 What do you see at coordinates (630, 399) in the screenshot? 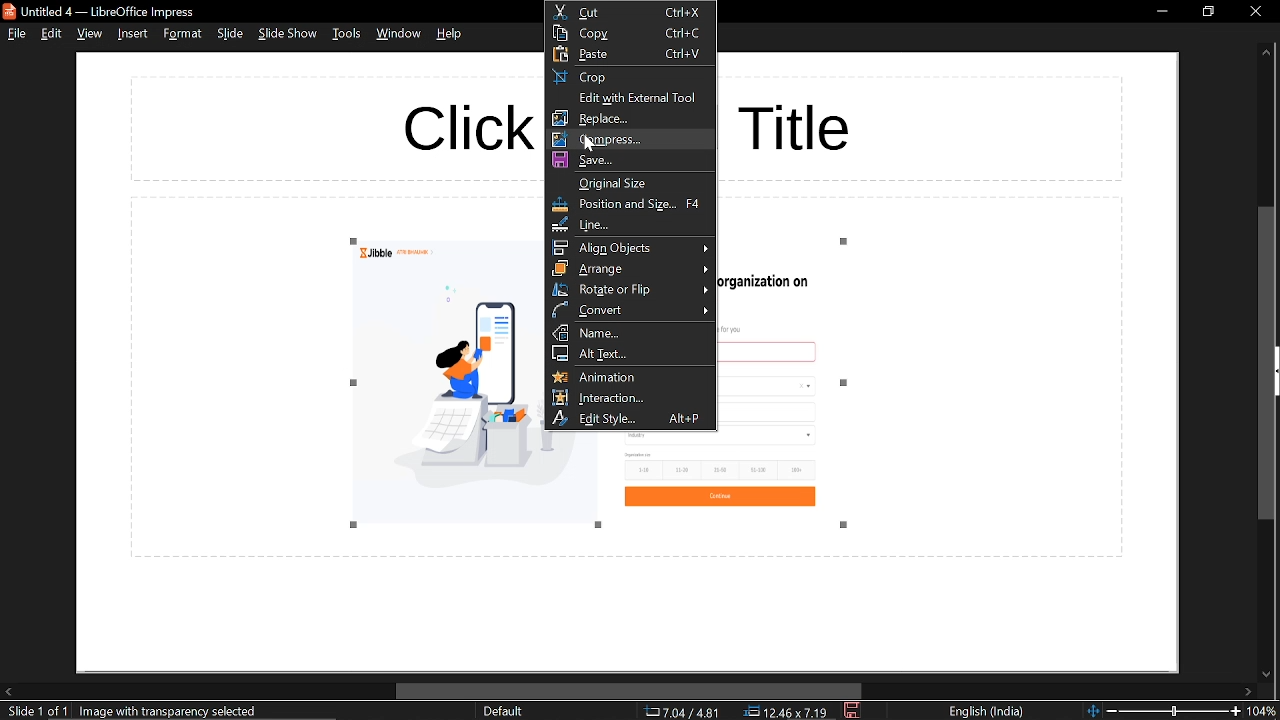
I see `interaction` at bounding box center [630, 399].